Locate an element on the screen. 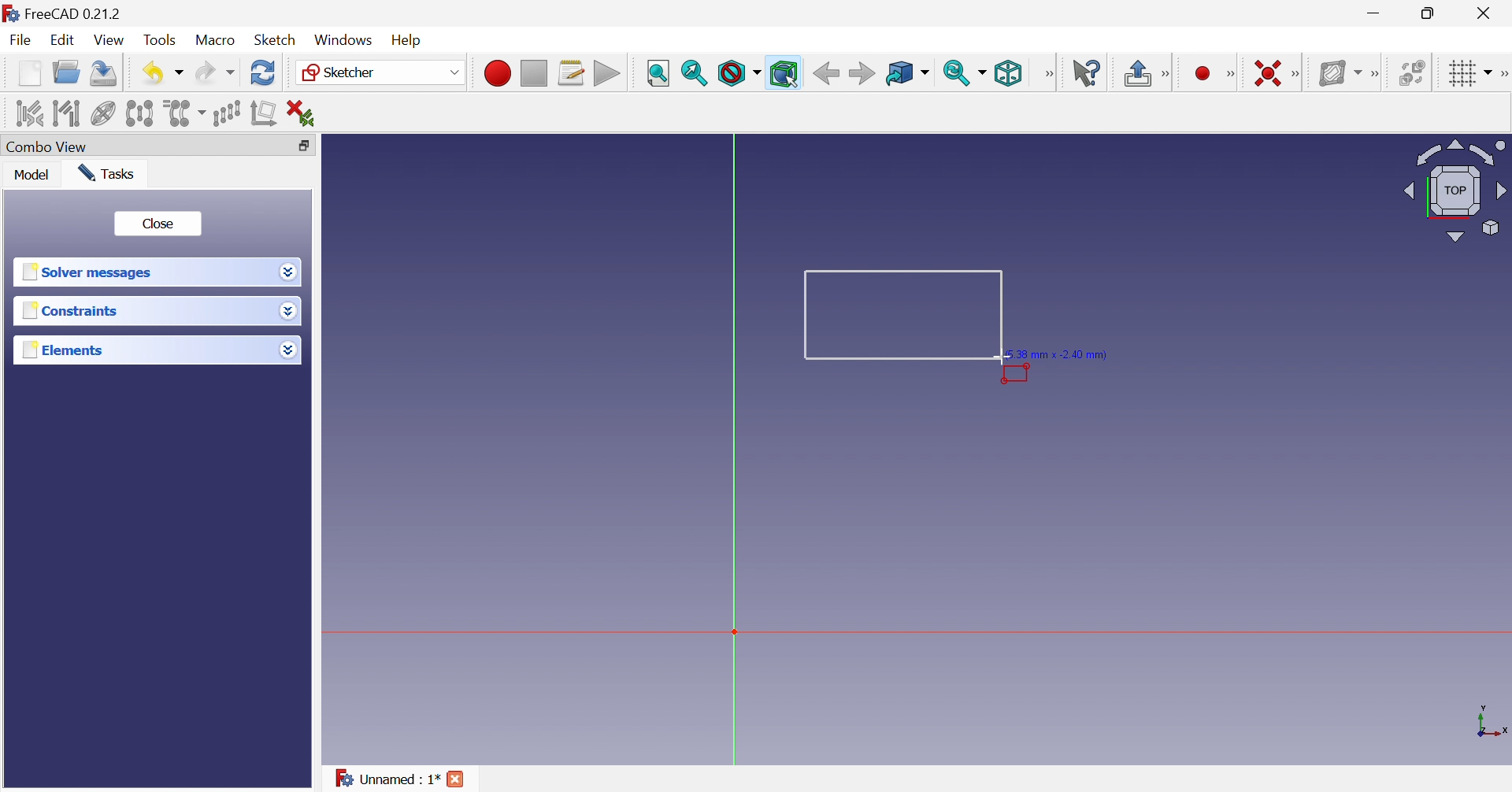 The width and height of the screenshot is (1512, 792). canvas is located at coordinates (879, 562).